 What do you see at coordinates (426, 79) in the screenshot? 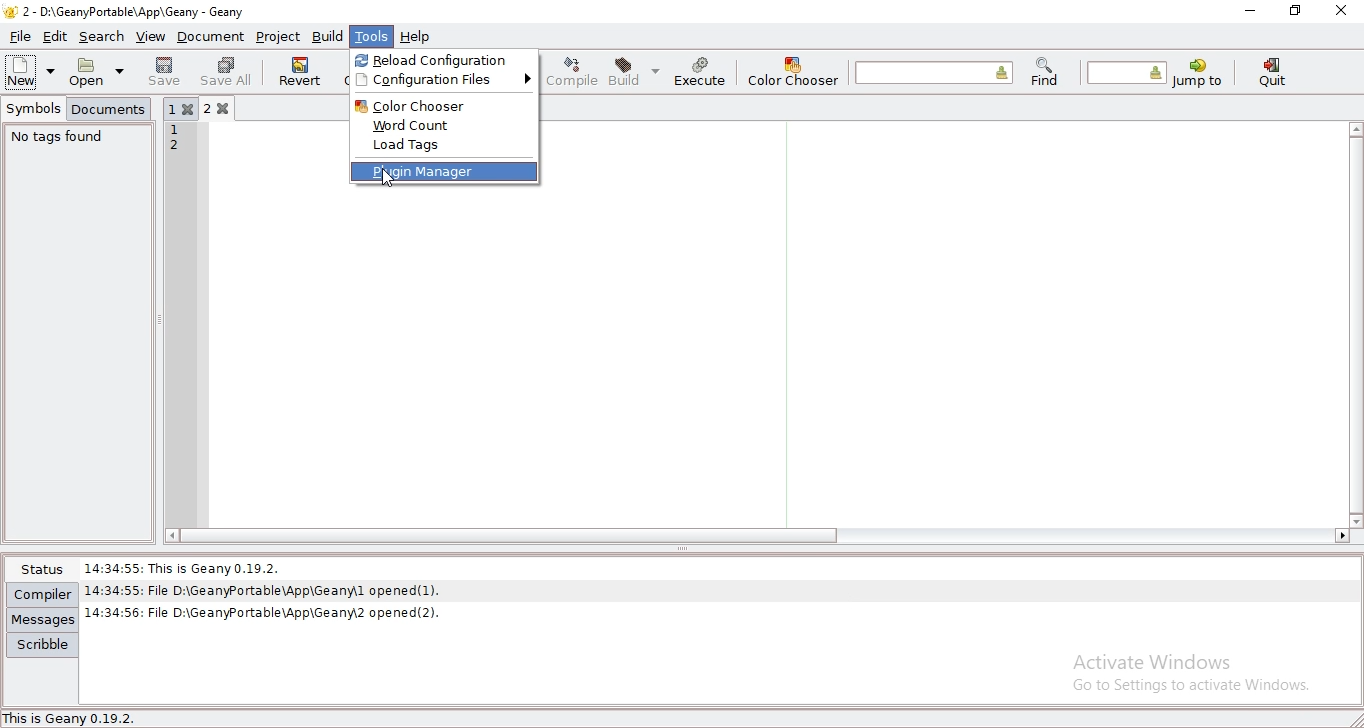
I see `configuration files` at bounding box center [426, 79].